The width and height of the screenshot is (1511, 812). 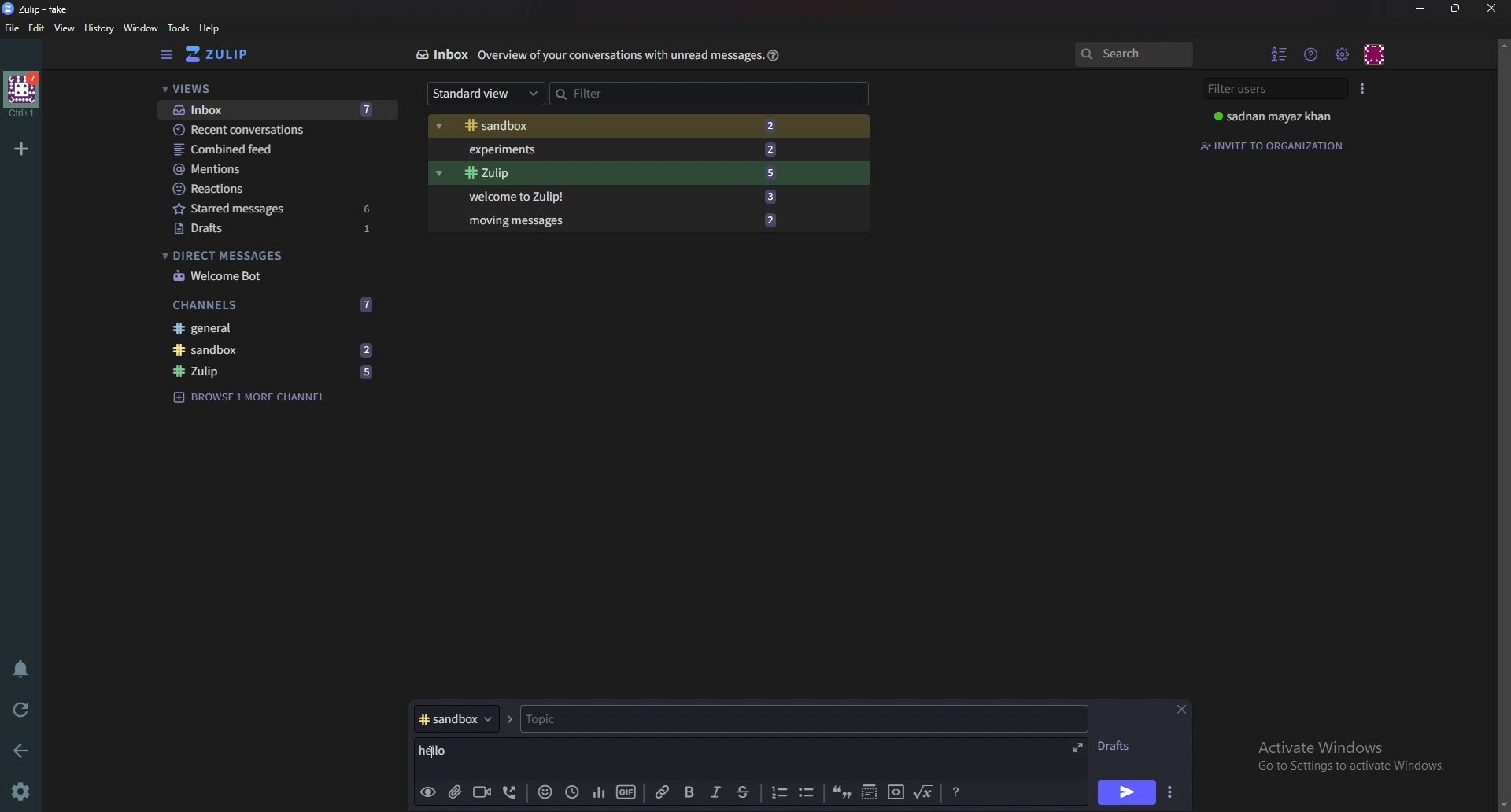 What do you see at coordinates (21, 710) in the screenshot?
I see `Reload` at bounding box center [21, 710].